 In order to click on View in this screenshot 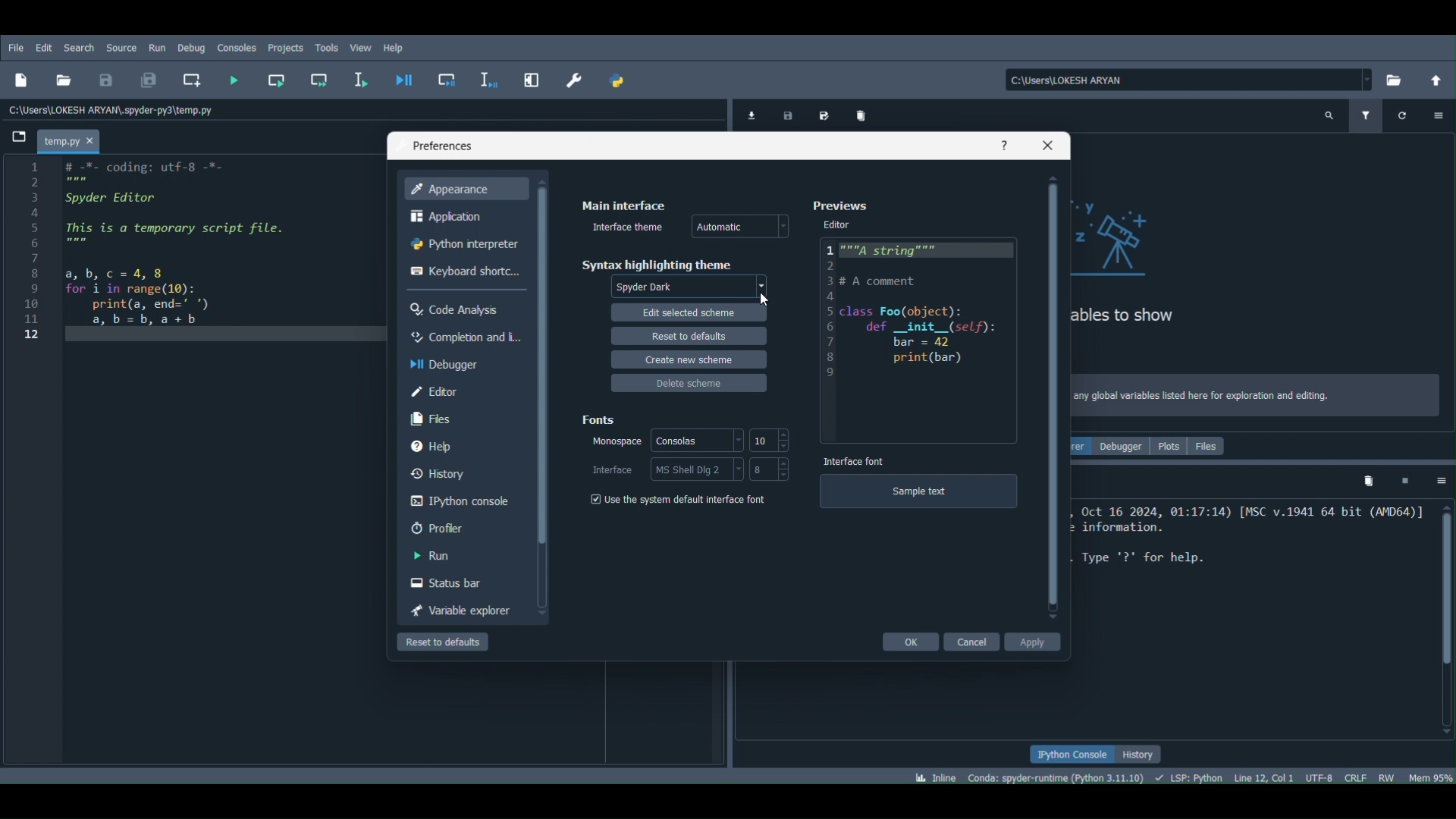, I will do `click(361, 47)`.